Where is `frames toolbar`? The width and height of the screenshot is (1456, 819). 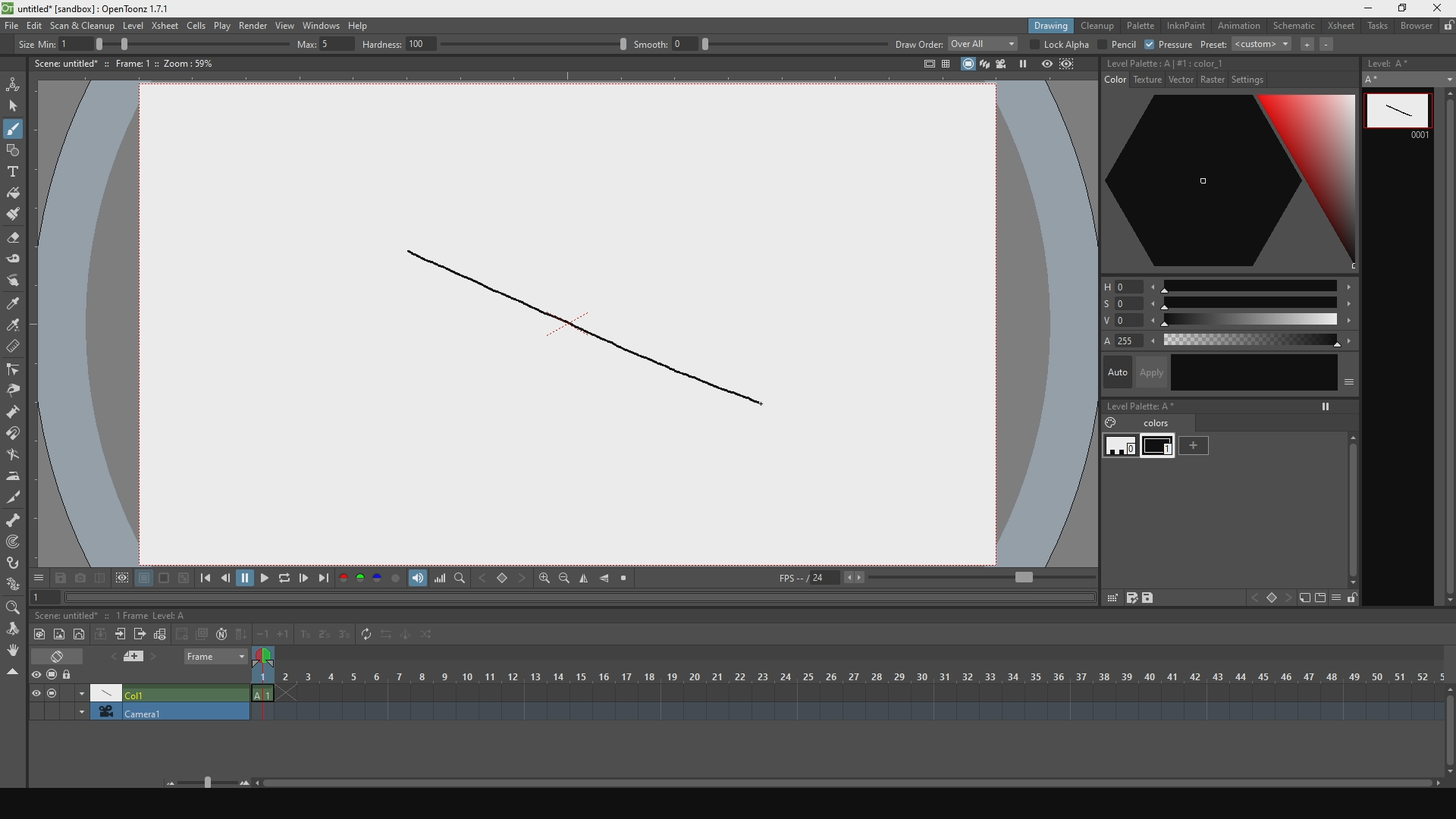
frames toolbar is located at coordinates (136, 633).